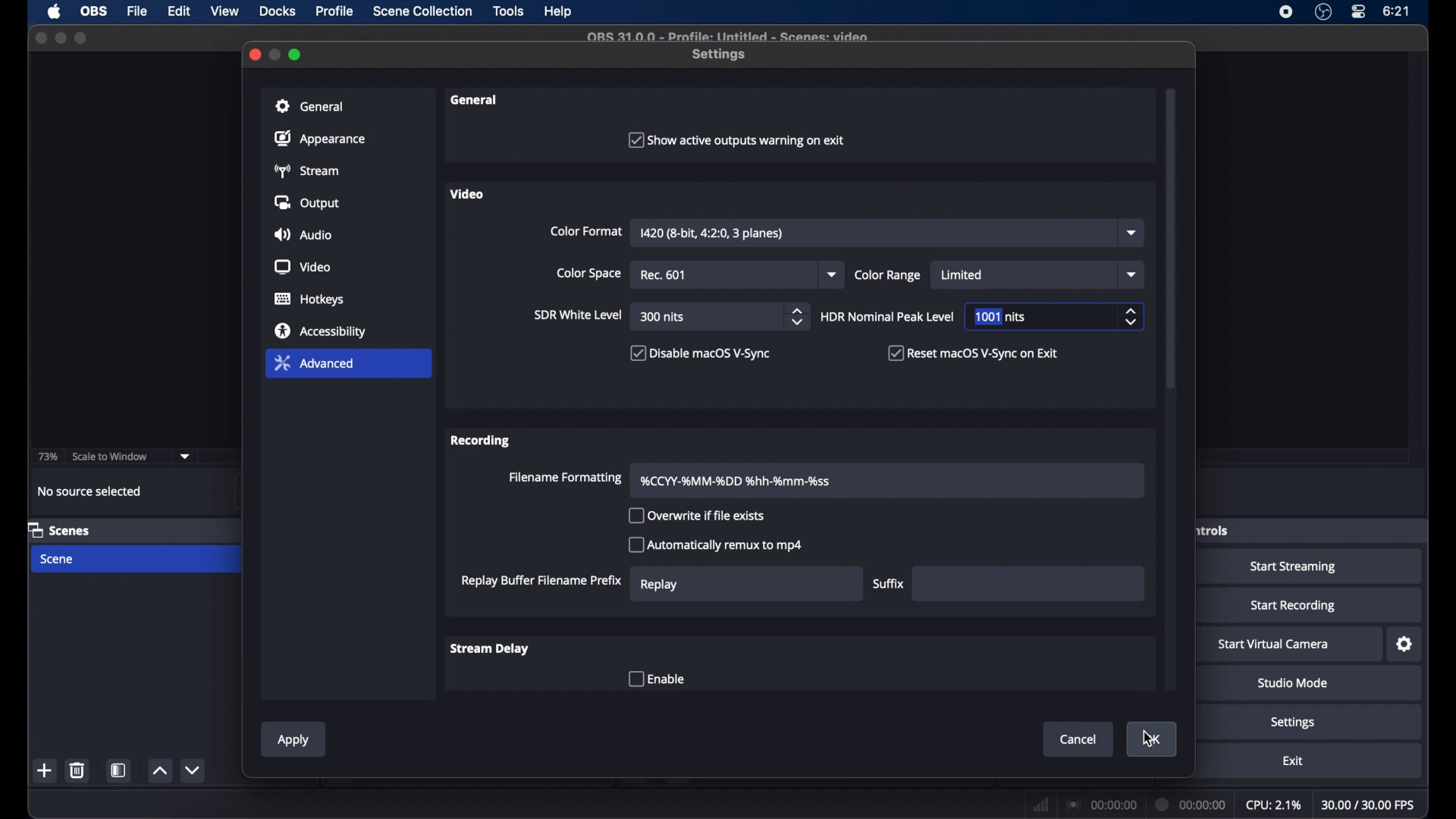  I want to click on increment, so click(159, 770).